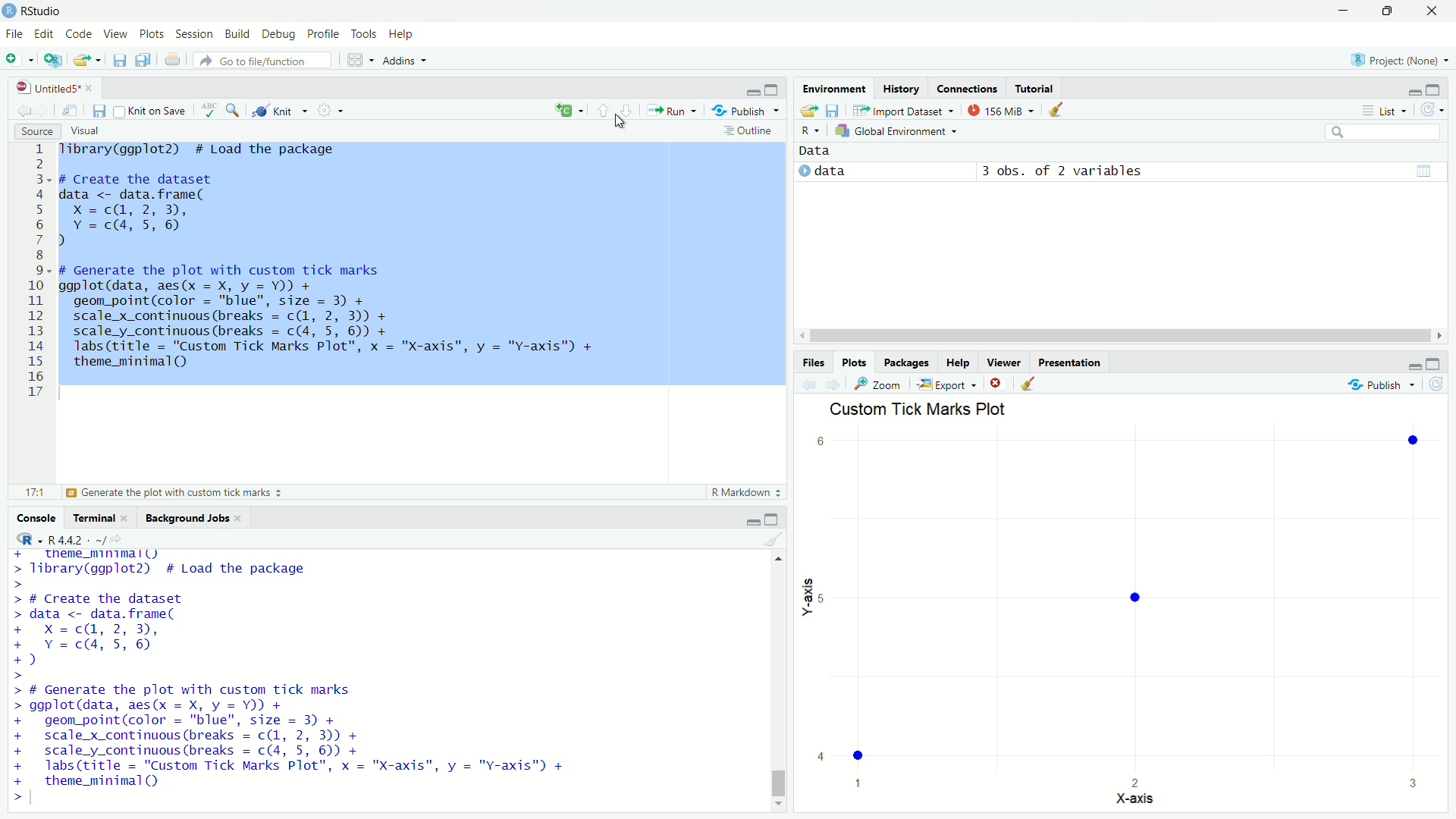 Image resolution: width=1456 pixels, height=819 pixels. I want to click on import dataset, so click(905, 109).